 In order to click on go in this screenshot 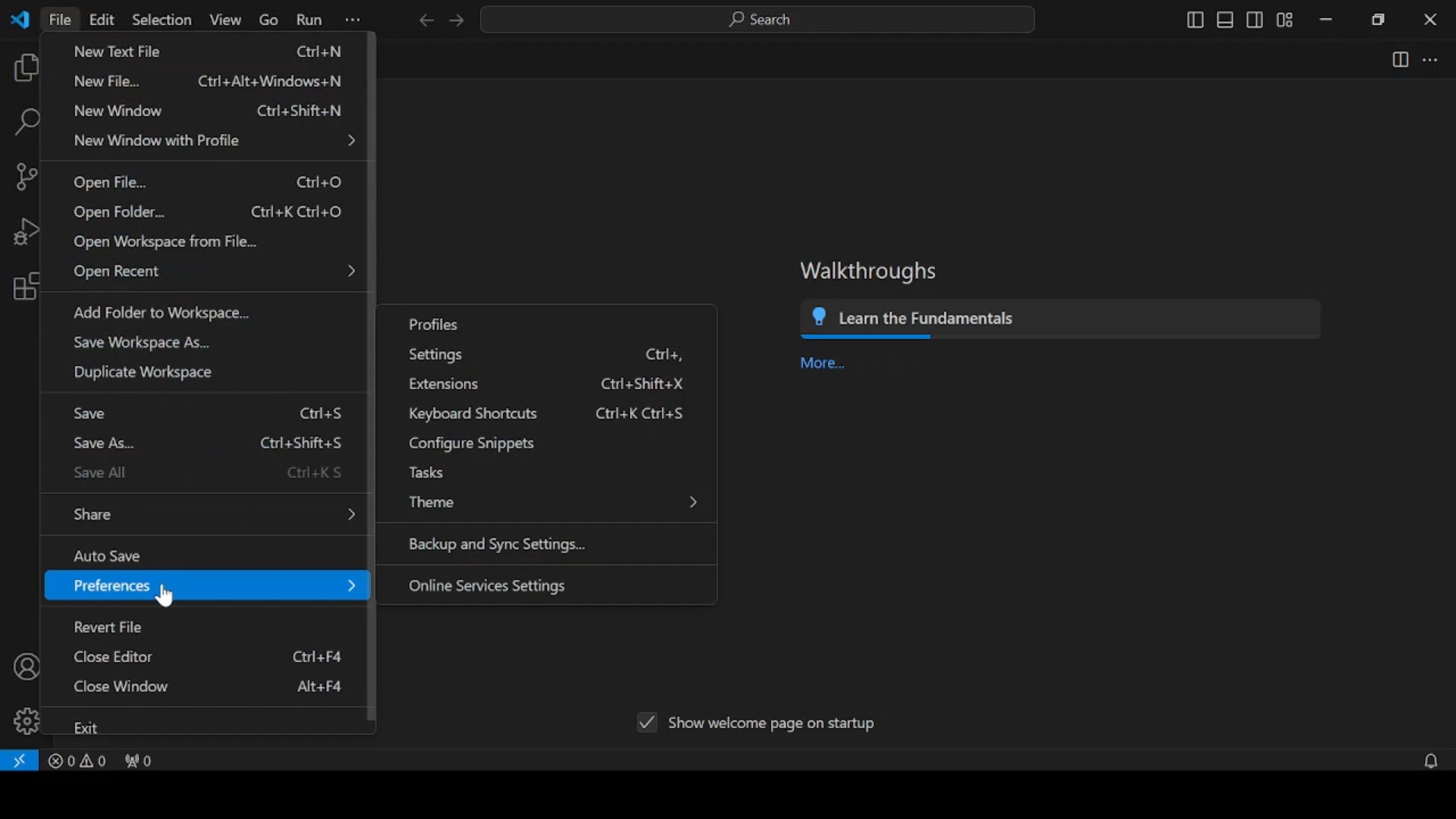, I will do `click(266, 20)`.